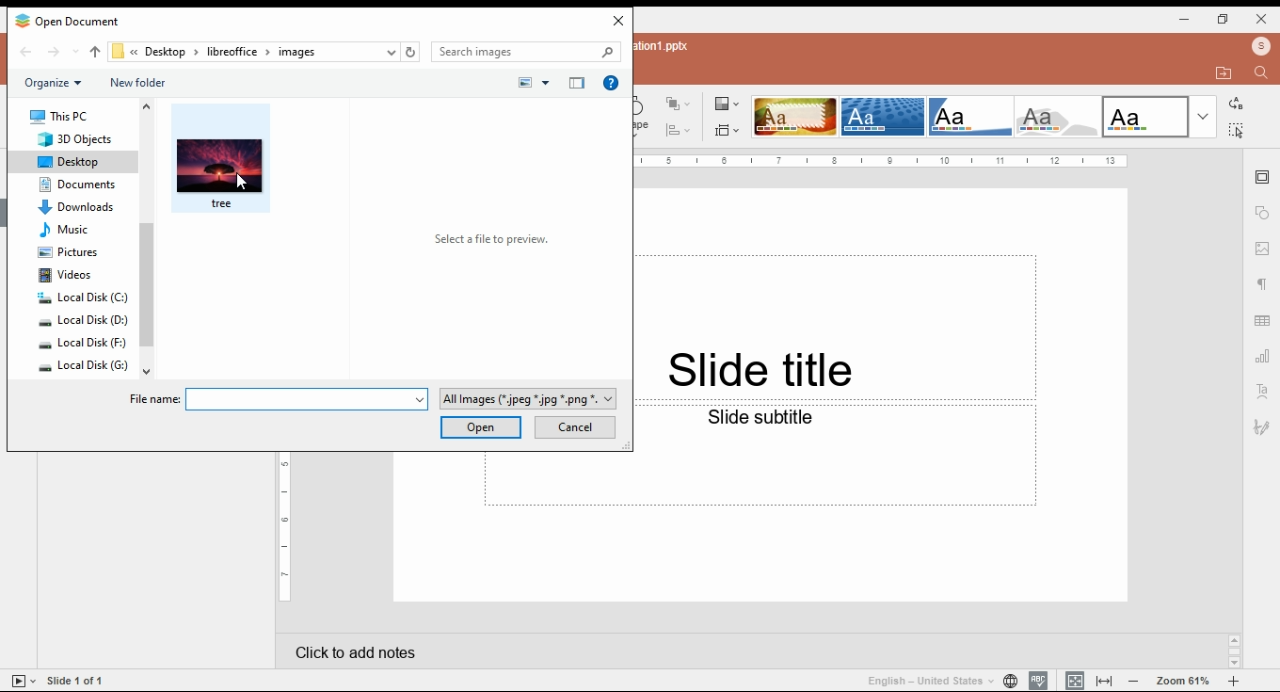 This screenshot has height=692, width=1280. I want to click on desktop, so click(71, 162).